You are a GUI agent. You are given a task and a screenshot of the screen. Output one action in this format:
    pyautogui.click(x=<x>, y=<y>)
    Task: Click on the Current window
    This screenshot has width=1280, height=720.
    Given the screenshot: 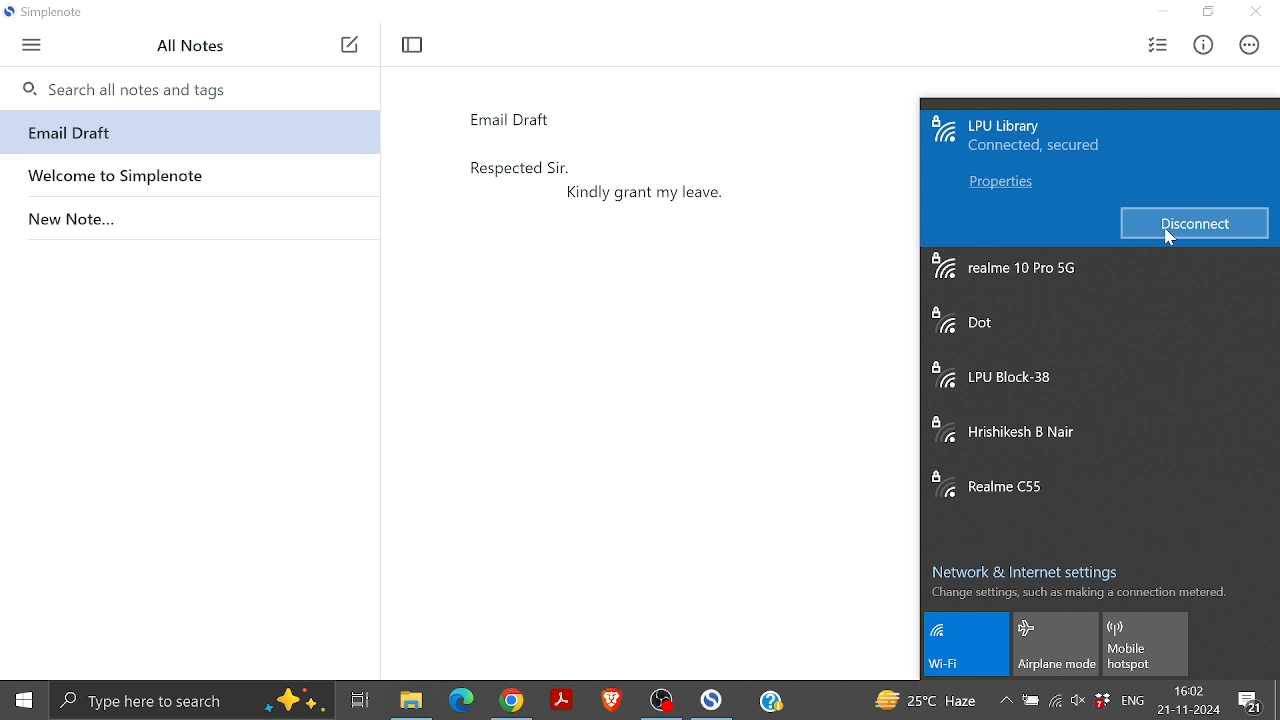 What is the action you would take?
    pyautogui.click(x=49, y=14)
    